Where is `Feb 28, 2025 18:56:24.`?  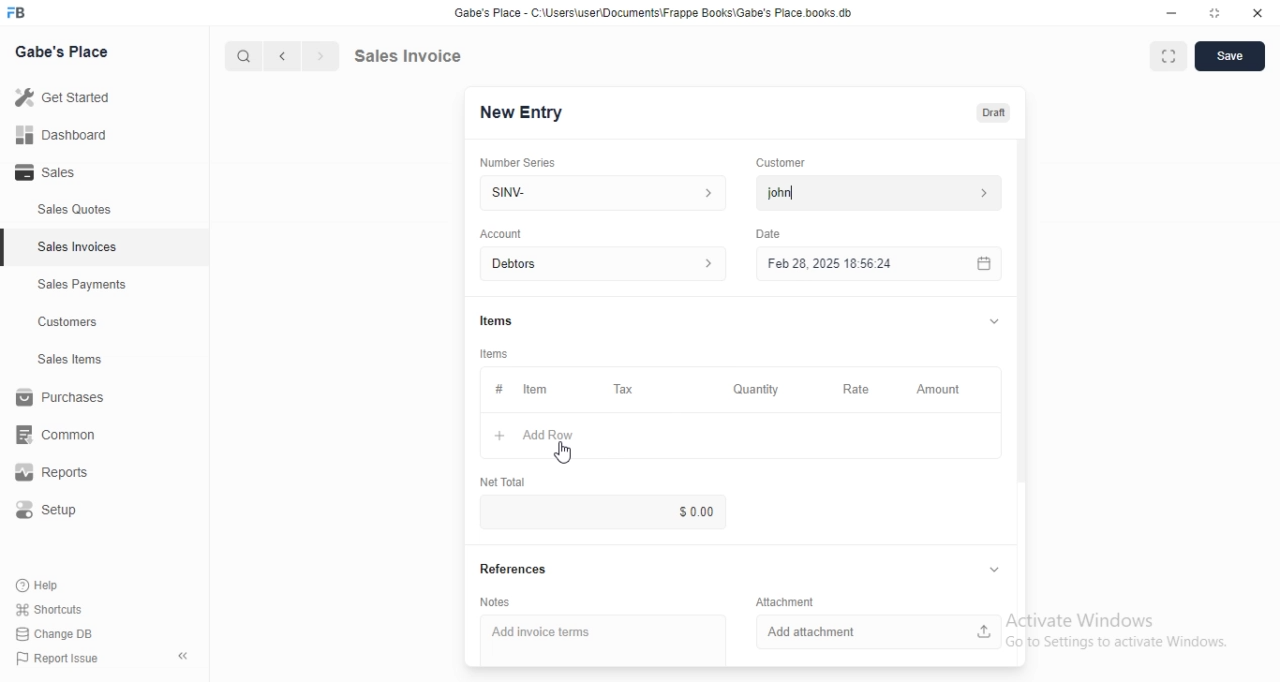 Feb 28, 2025 18:56:24. is located at coordinates (875, 262).